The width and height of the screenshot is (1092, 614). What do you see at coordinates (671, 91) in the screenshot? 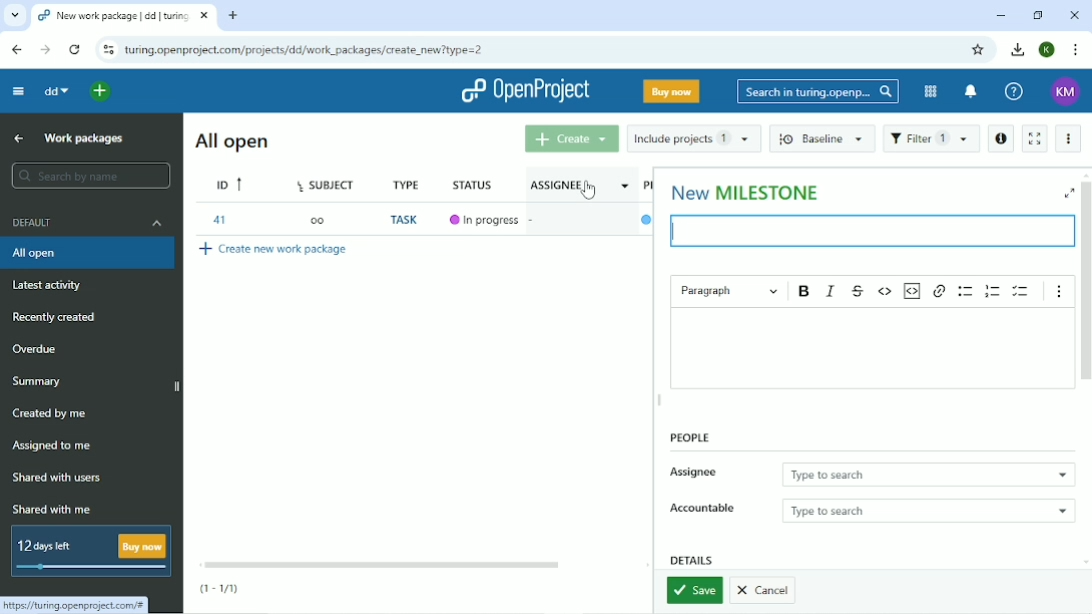
I see `Buy now` at bounding box center [671, 91].